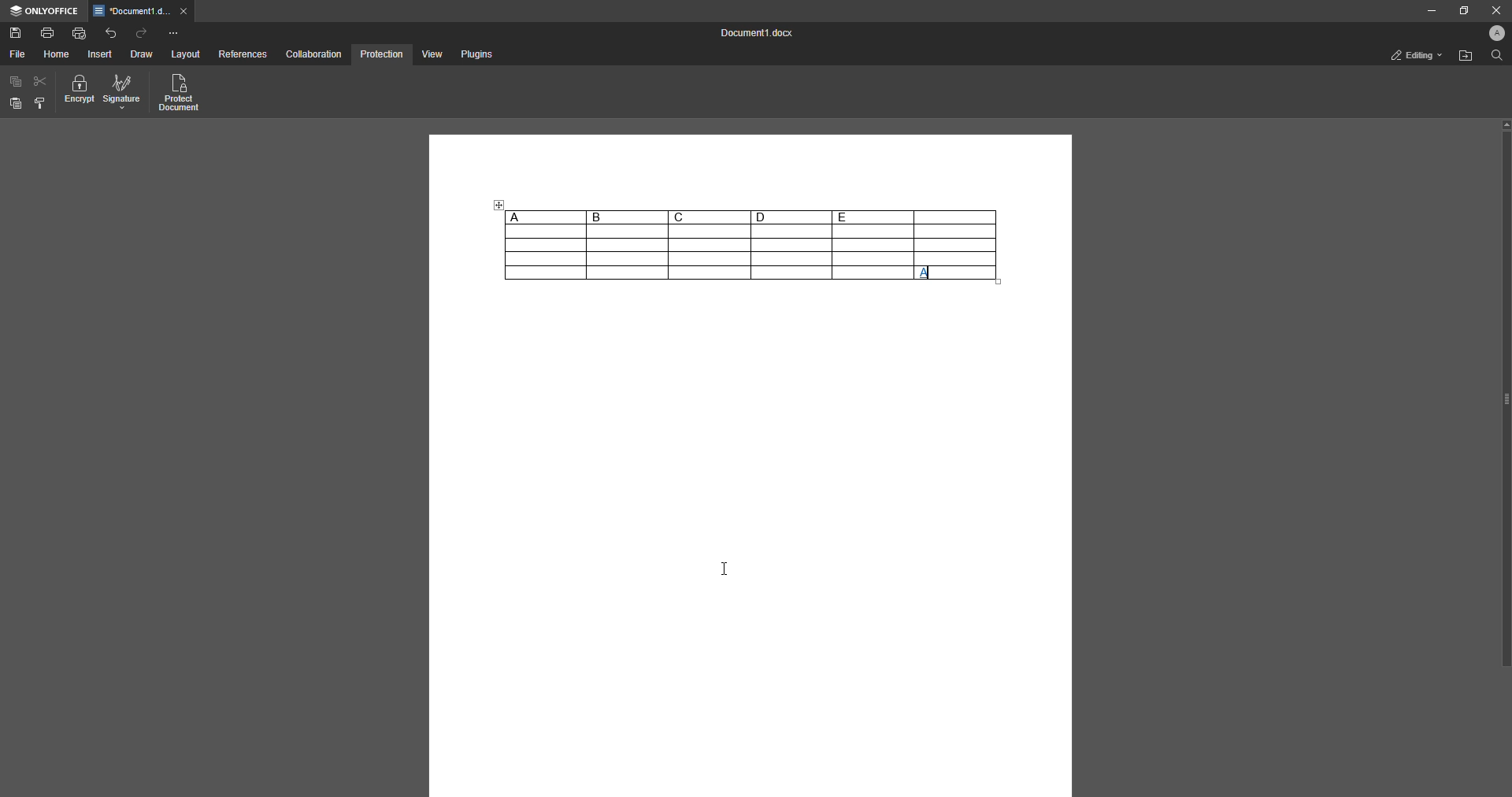 This screenshot has height=797, width=1512. I want to click on Signature, so click(122, 93).